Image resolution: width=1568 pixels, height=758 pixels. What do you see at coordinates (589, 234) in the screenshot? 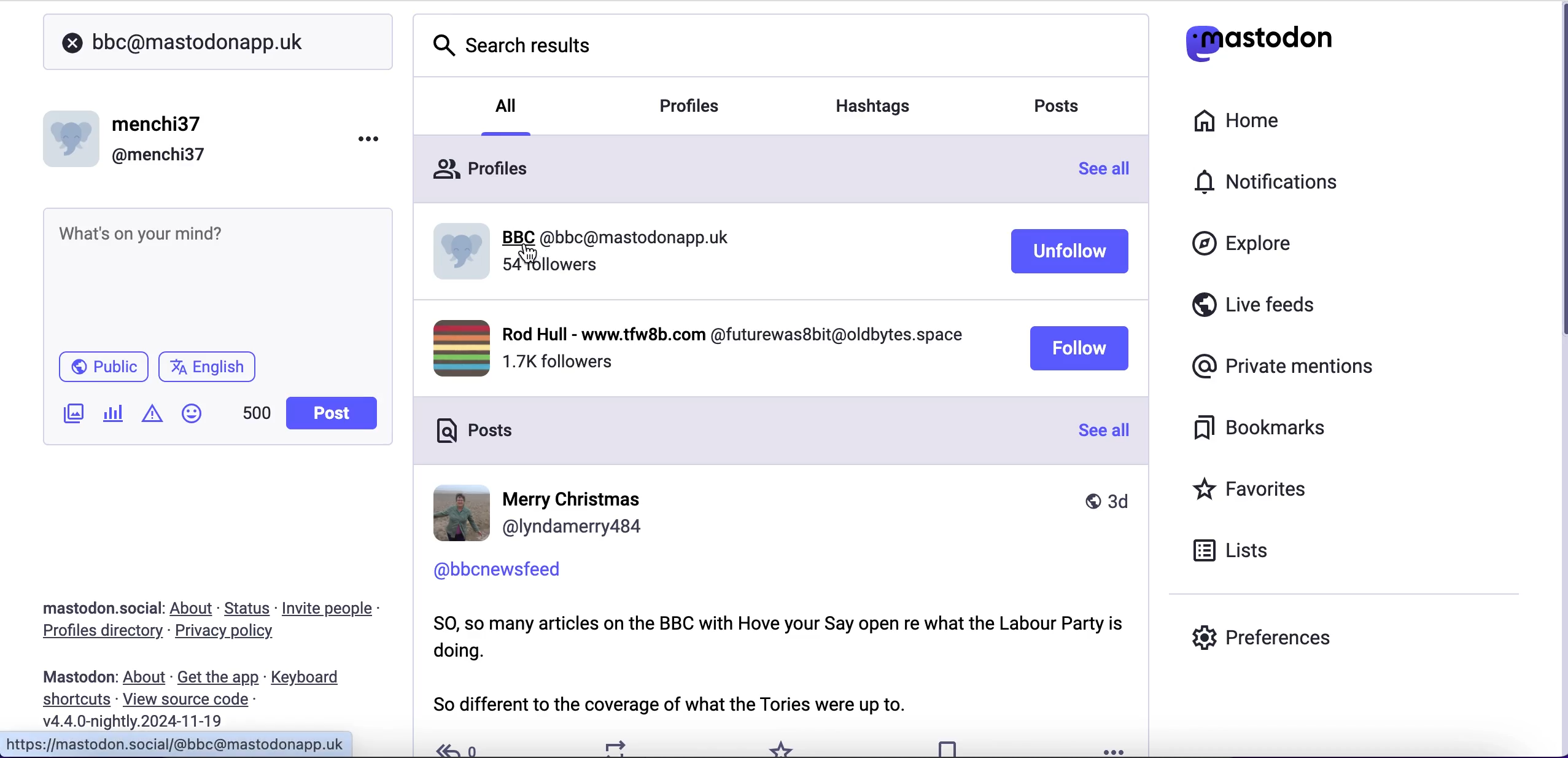
I see `BBC profile` at bounding box center [589, 234].